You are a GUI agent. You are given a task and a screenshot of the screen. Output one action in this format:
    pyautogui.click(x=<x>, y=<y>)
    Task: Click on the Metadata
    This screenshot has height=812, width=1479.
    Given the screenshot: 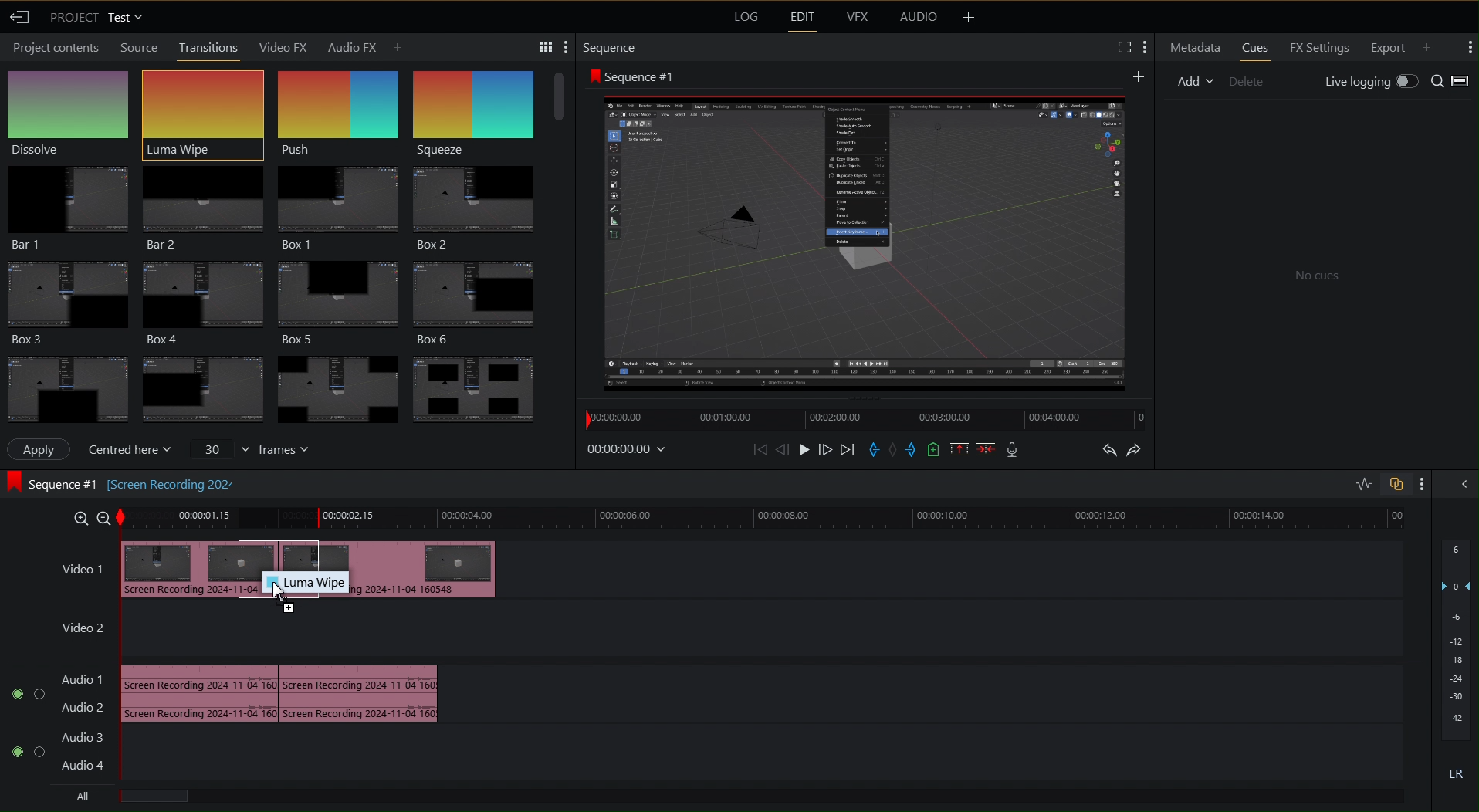 What is the action you would take?
    pyautogui.click(x=1193, y=47)
    